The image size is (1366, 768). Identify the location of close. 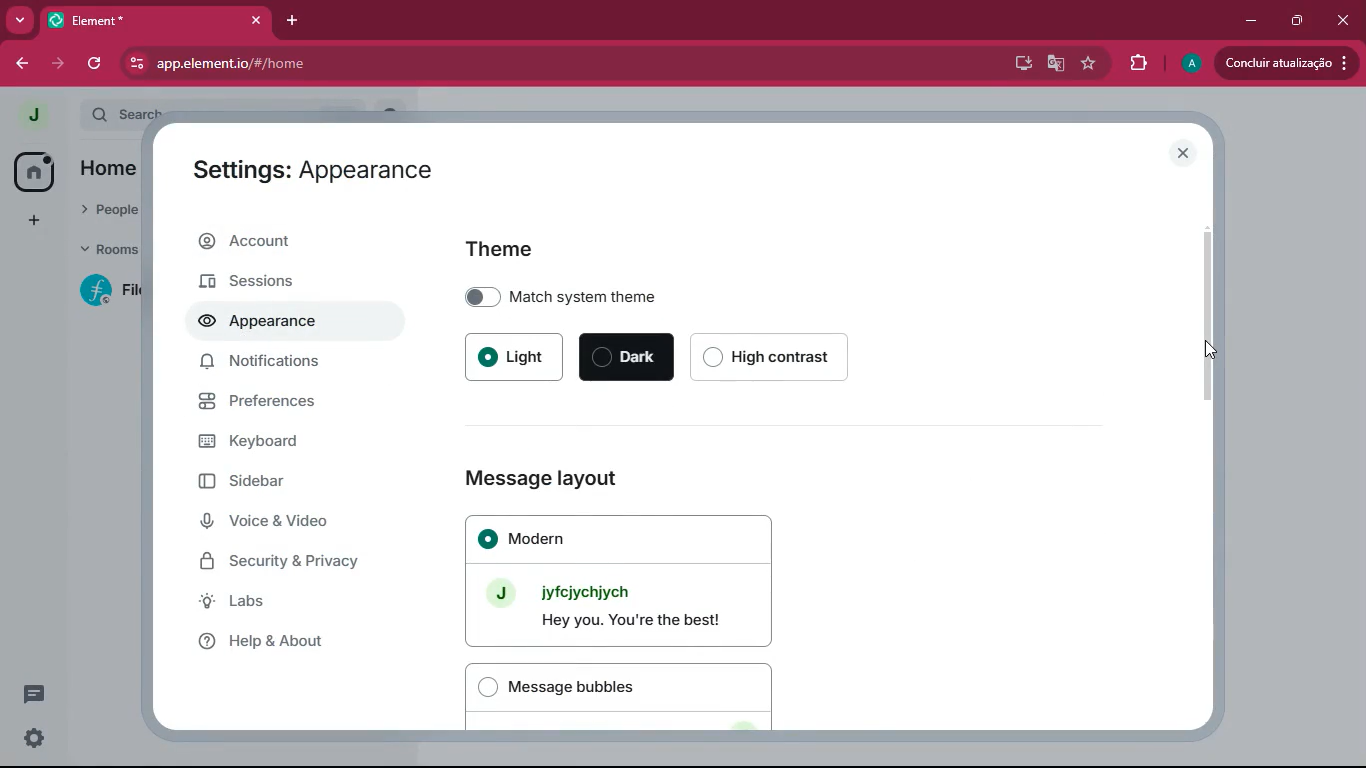
(1180, 151).